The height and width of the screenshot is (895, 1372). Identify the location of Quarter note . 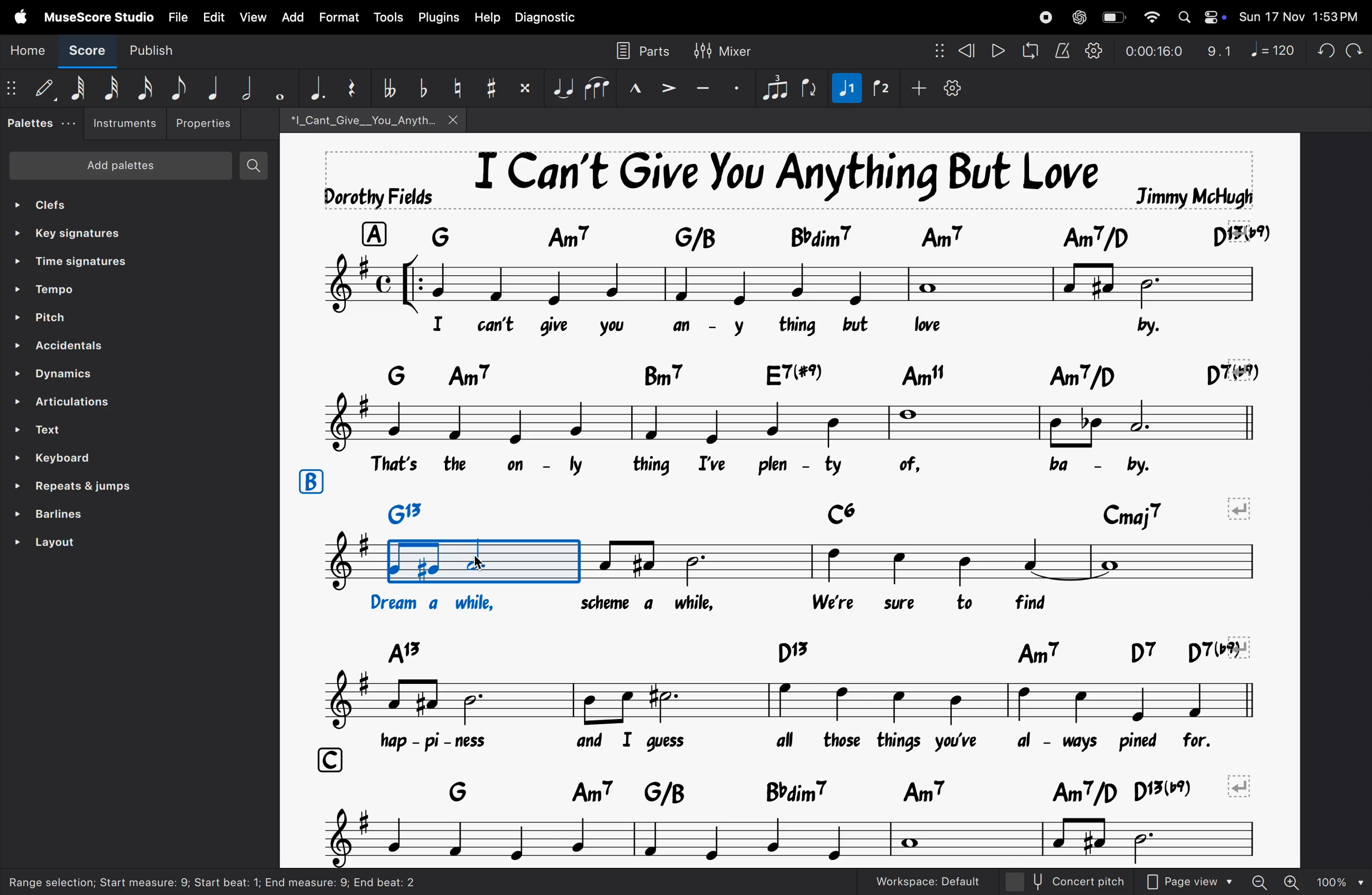
(212, 87).